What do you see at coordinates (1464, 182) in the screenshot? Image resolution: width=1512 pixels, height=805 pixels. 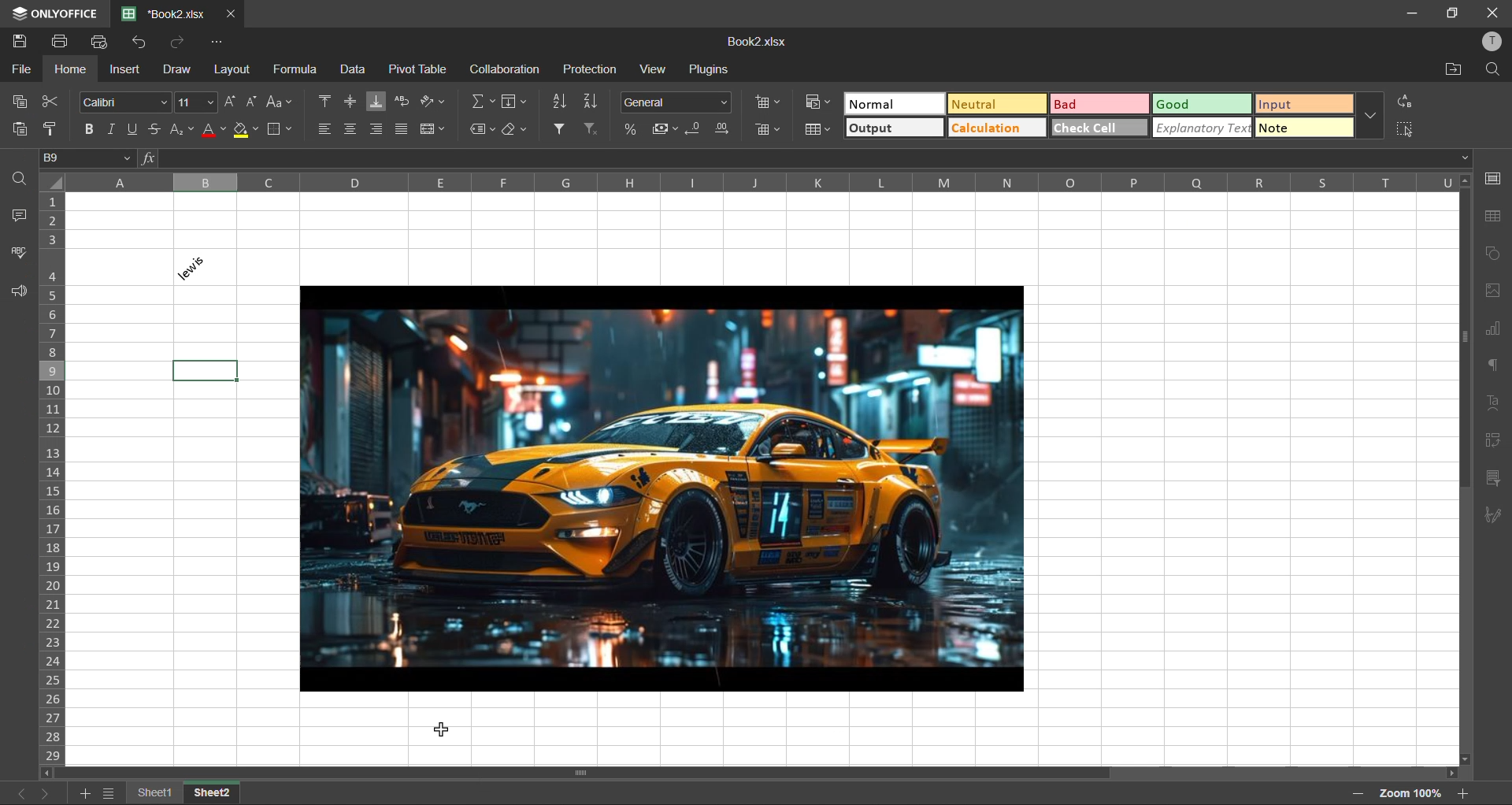 I see `scroll up` at bounding box center [1464, 182].